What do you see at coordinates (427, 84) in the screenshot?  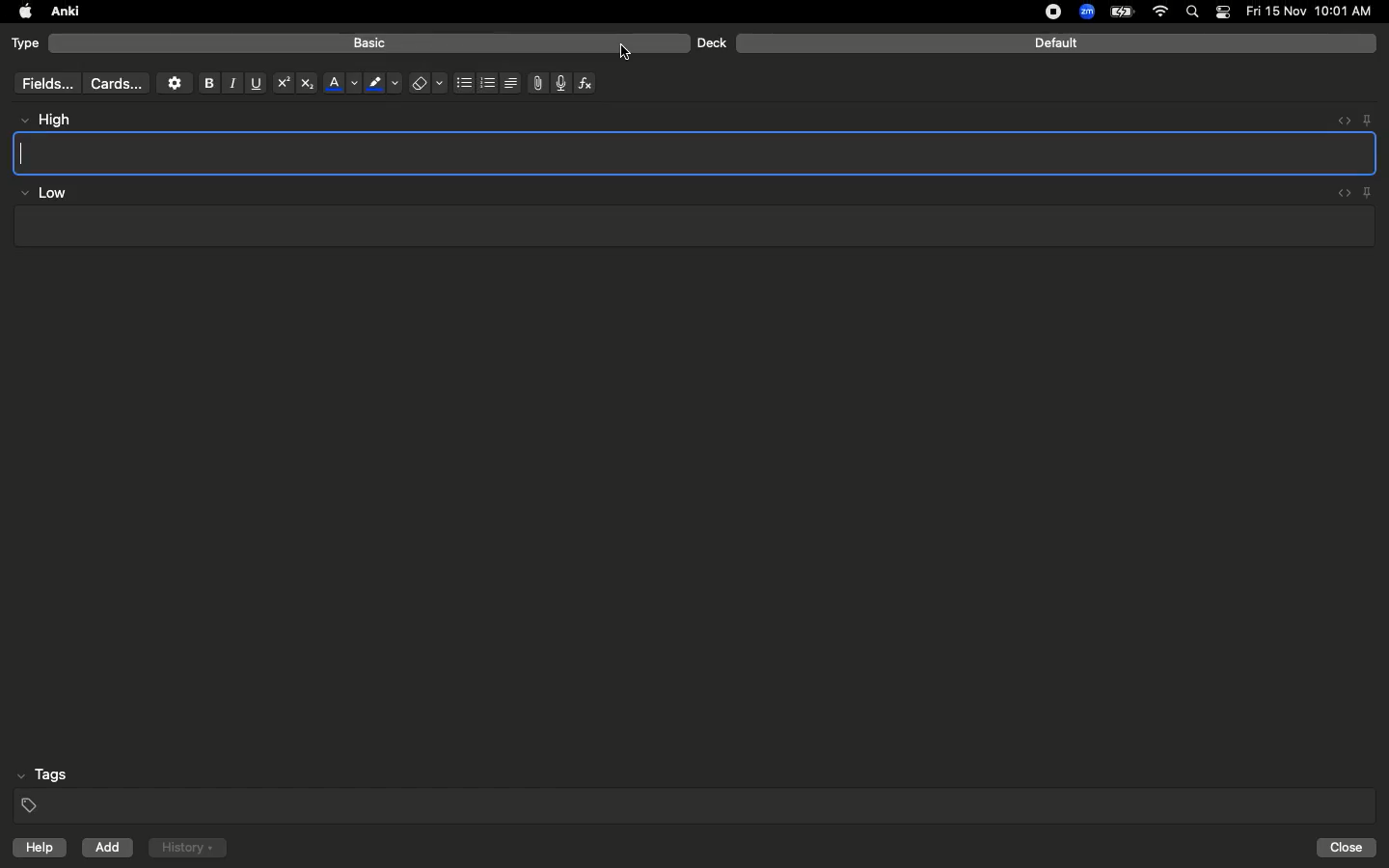 I see `Eraser` at bounding box center [427, 84].